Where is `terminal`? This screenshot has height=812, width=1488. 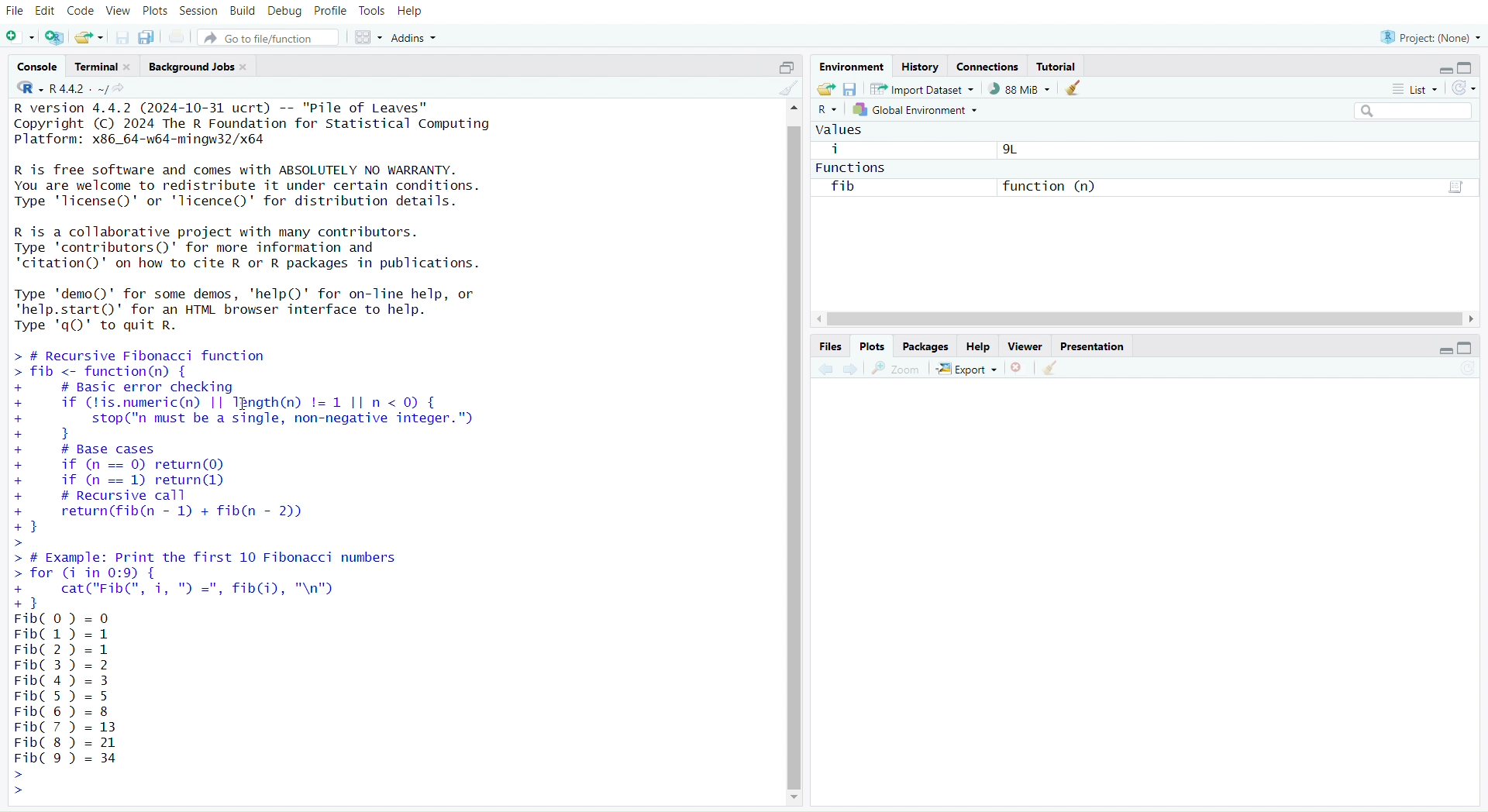
terminal is located at coordinates (104, 67).